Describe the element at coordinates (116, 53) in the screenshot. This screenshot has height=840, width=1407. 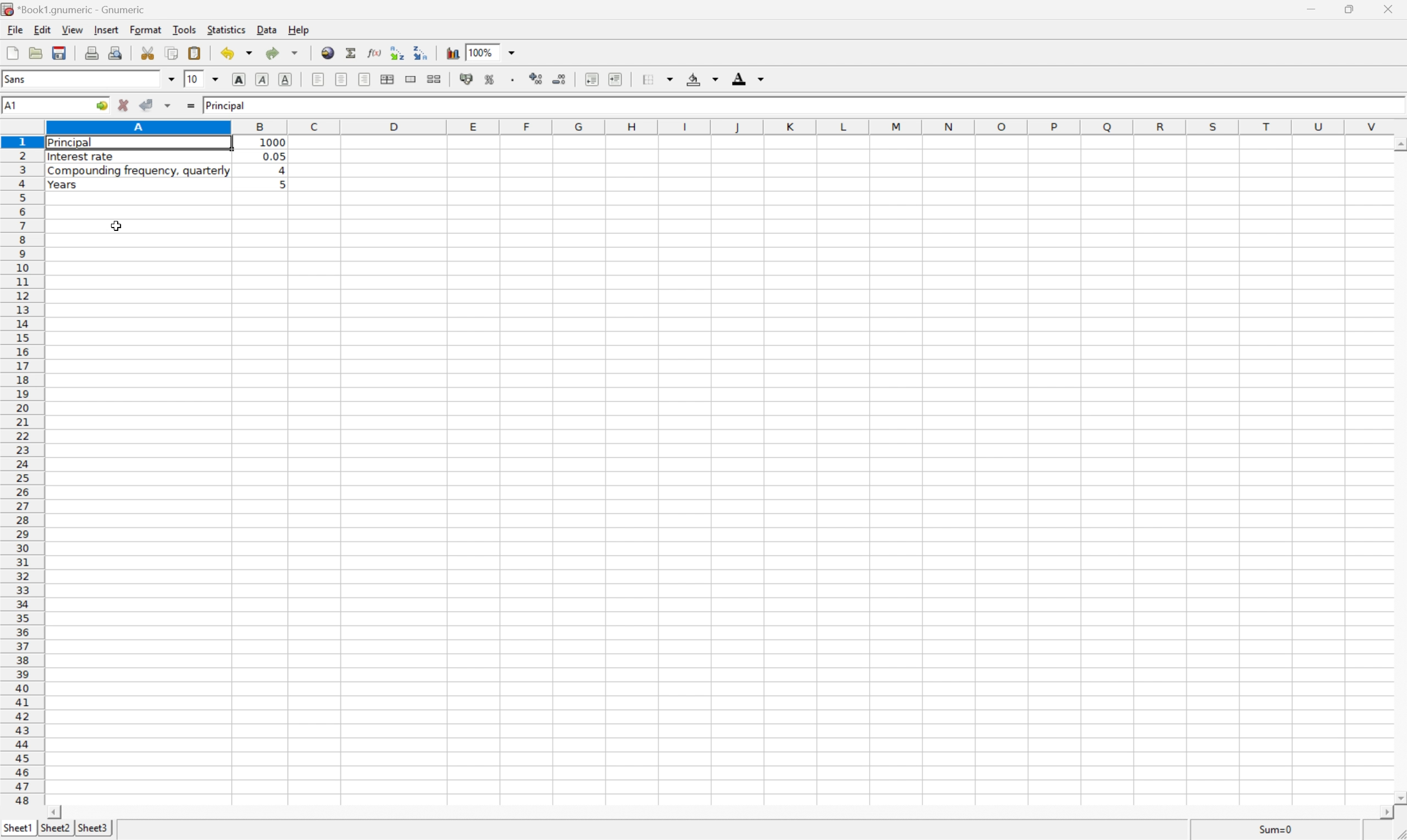
I see `print preview` at that location.